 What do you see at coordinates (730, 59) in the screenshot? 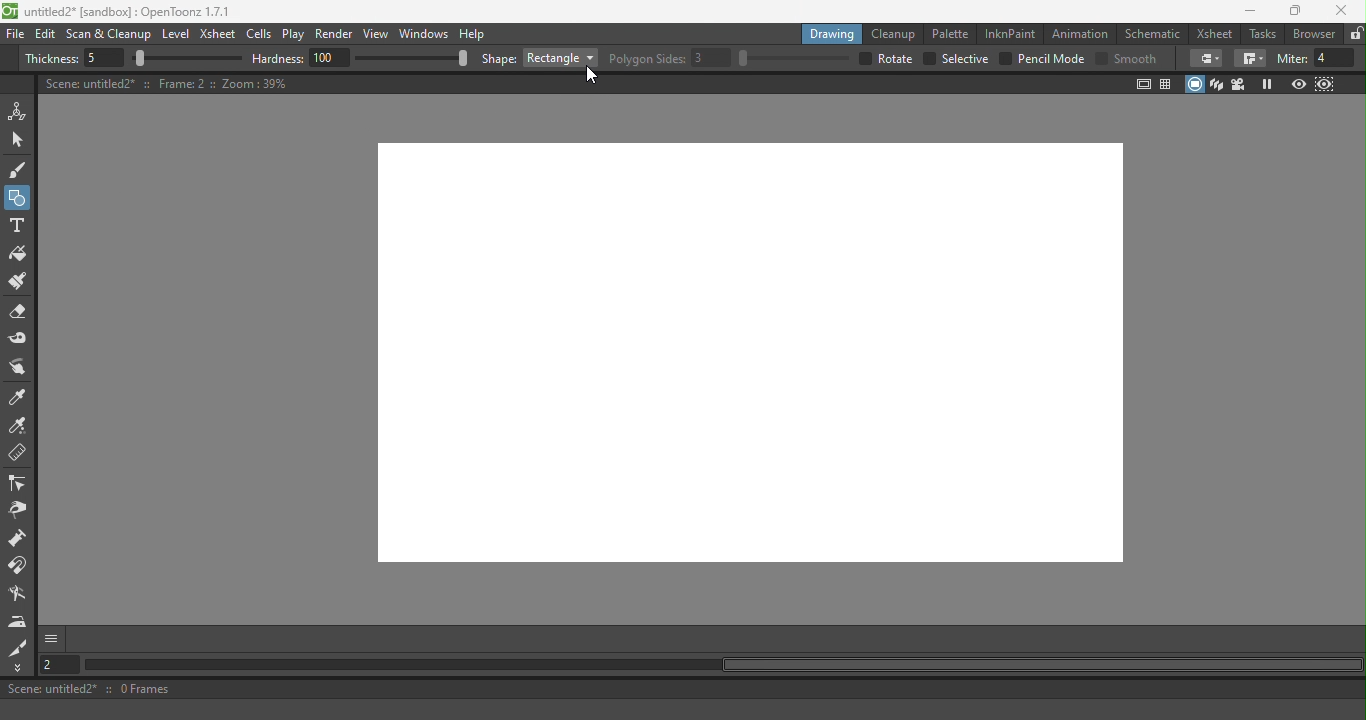
I see `Polygon Sides` at bounding box center [730, 59].